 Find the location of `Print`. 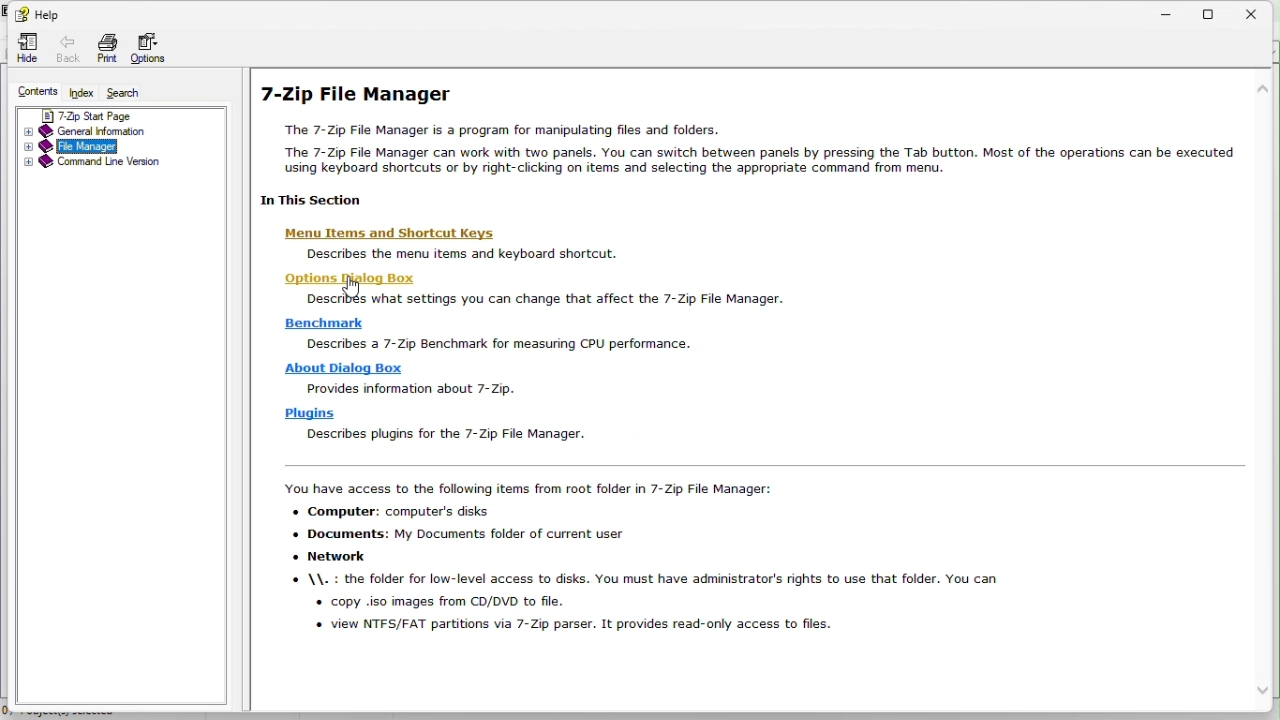

Print is located at coordinates (107, 48).